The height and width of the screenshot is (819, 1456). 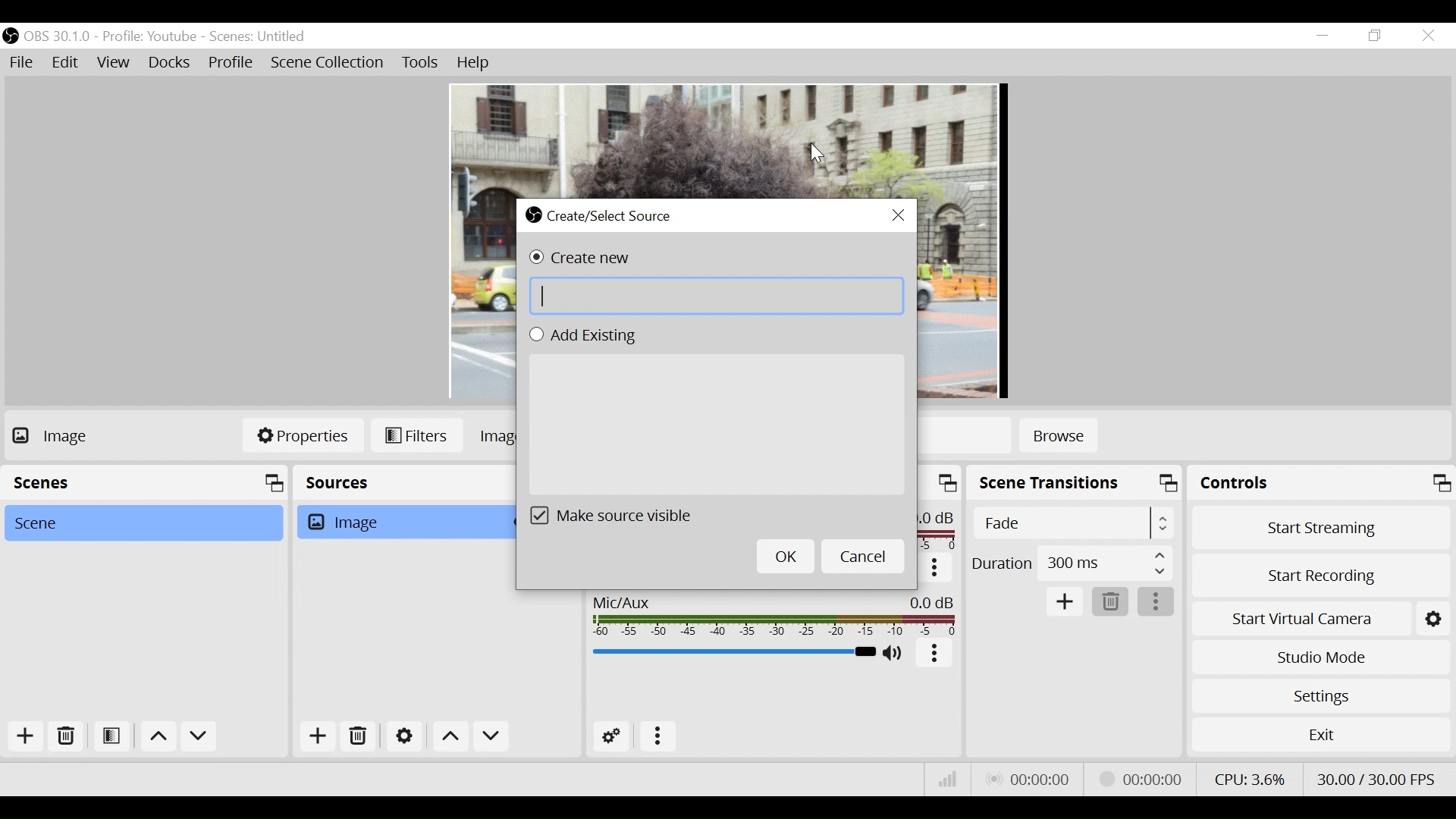 I want to click on move up, so click(x=160, y=737).